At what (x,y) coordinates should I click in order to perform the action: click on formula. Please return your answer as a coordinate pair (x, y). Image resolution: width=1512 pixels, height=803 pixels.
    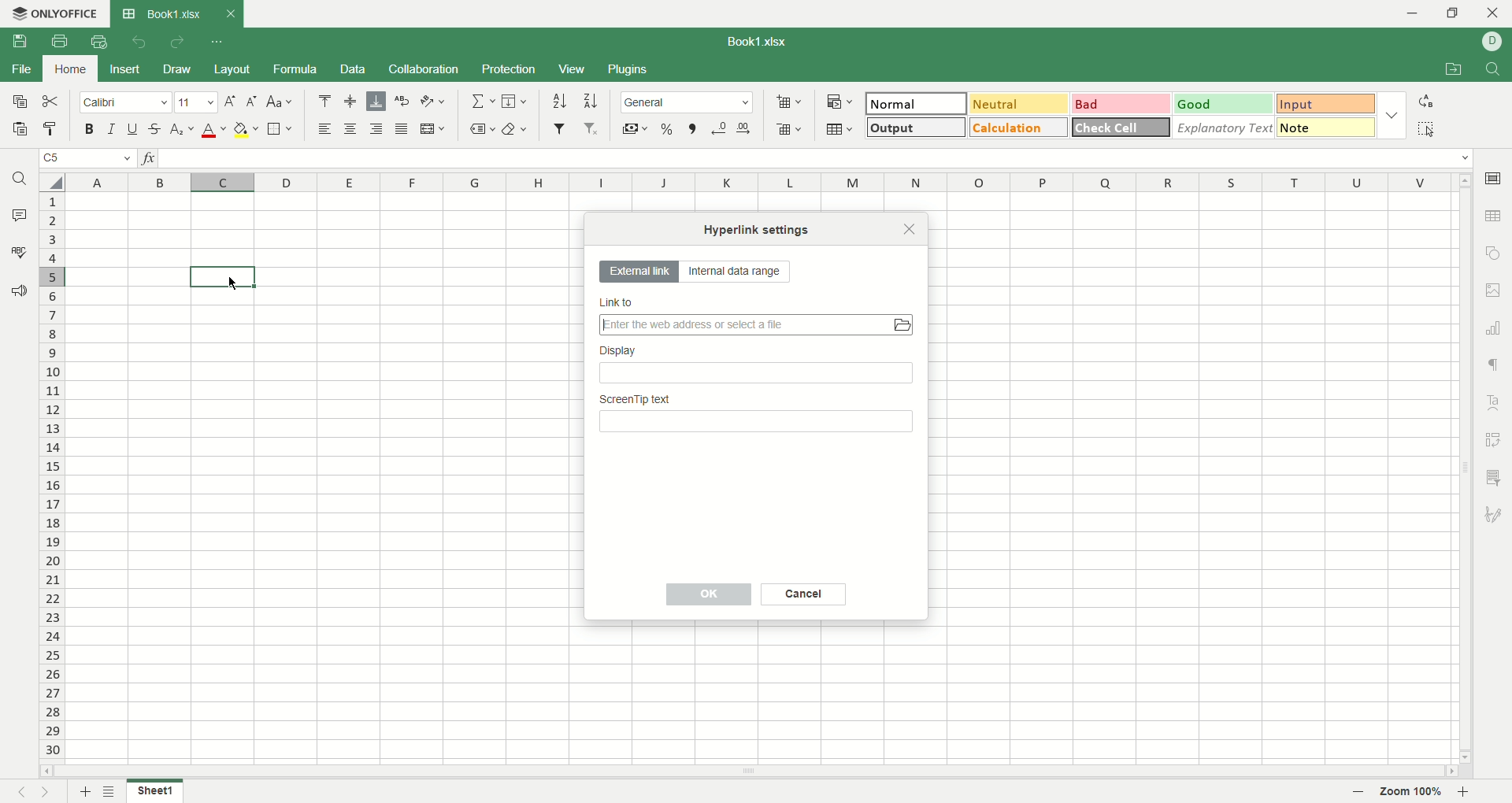
    Looking at the image, I should click on (299, 69).